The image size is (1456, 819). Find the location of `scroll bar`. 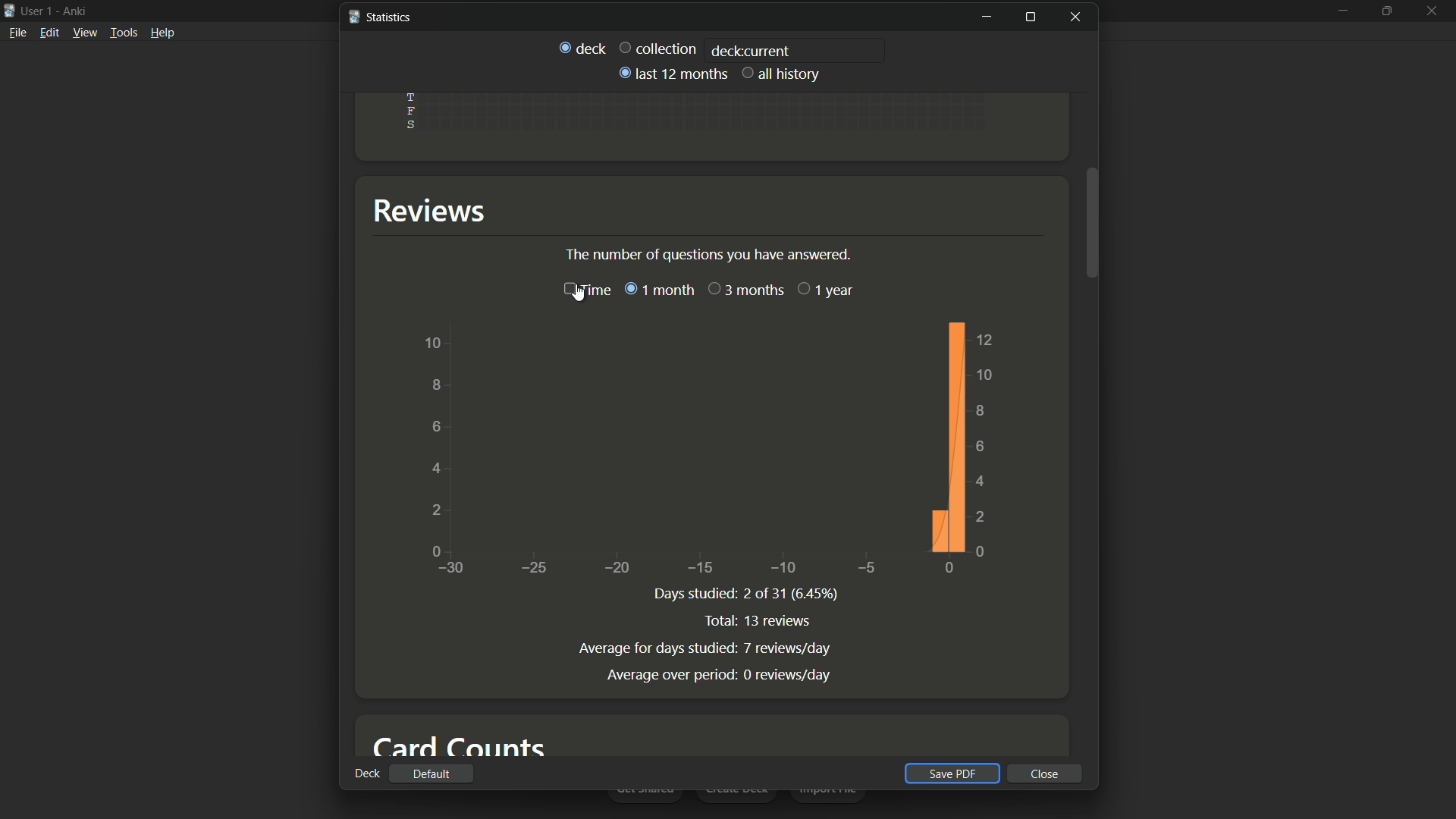

scroll bar is located at coordinates (1093, 221).